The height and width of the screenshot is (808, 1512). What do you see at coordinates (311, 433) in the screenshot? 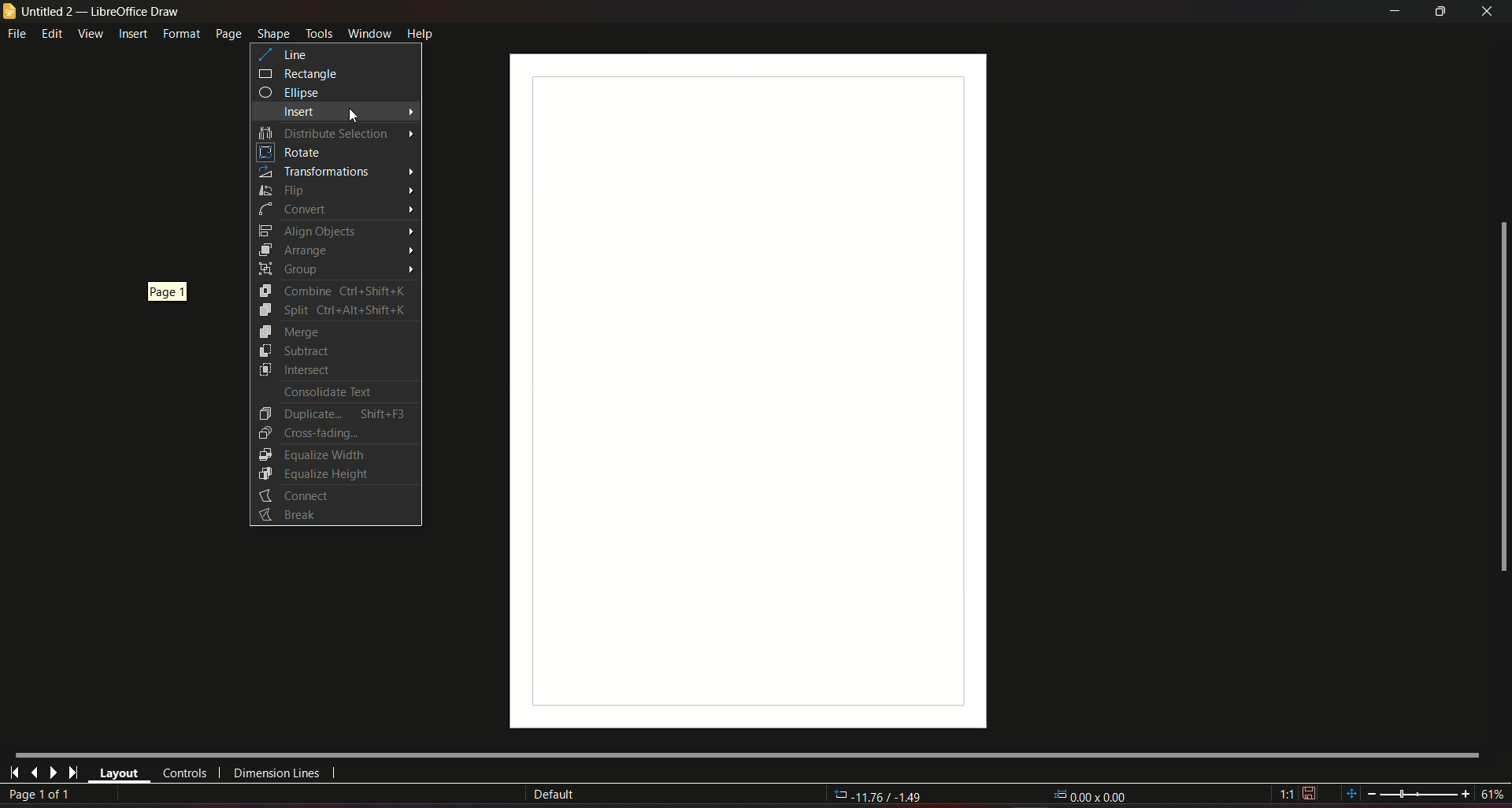
I see `Cross-Fading` at bounding box center [311, 433].